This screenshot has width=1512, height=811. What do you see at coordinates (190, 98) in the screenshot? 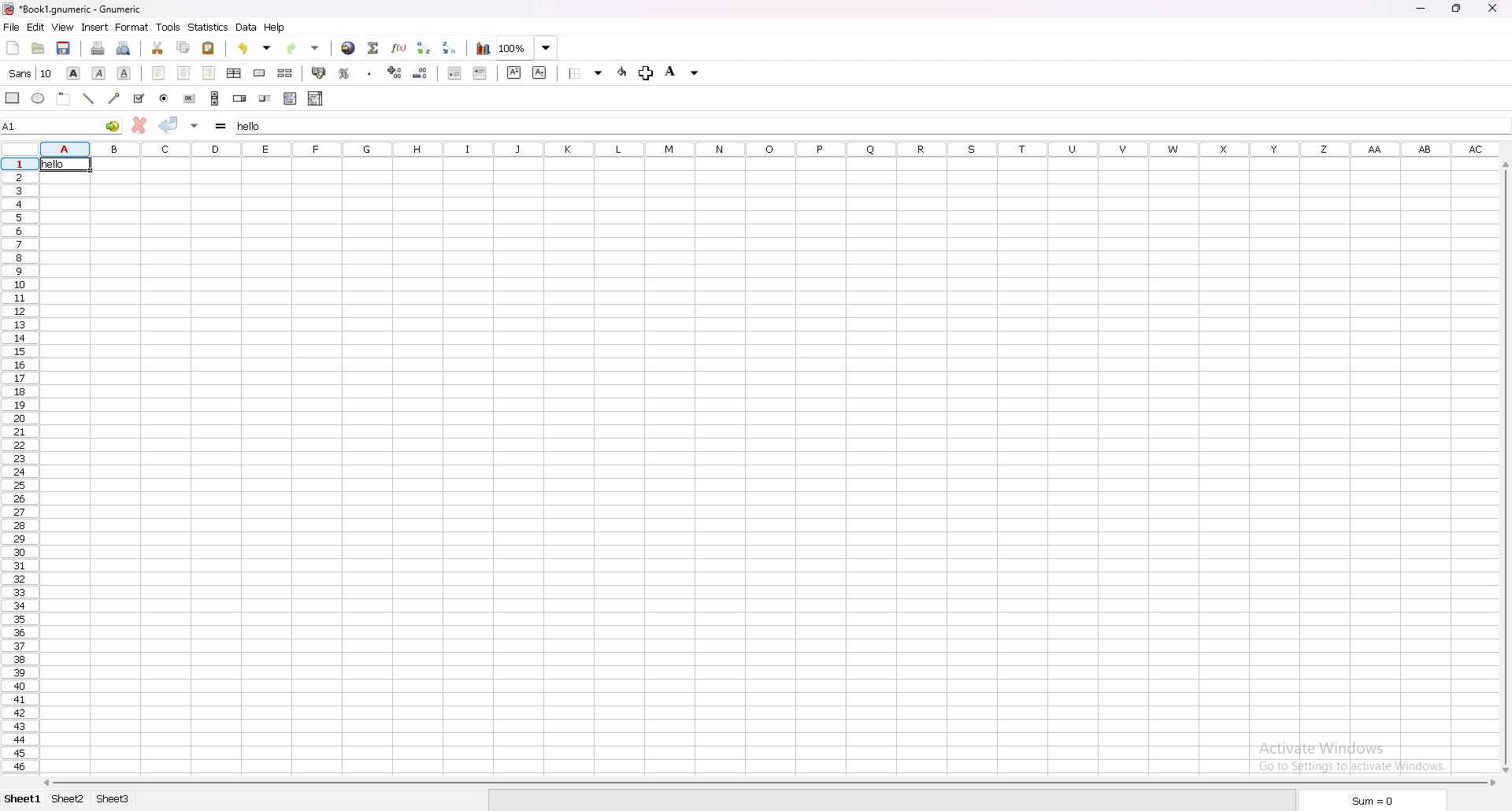
I see `button` at bounding box center [190, 98].